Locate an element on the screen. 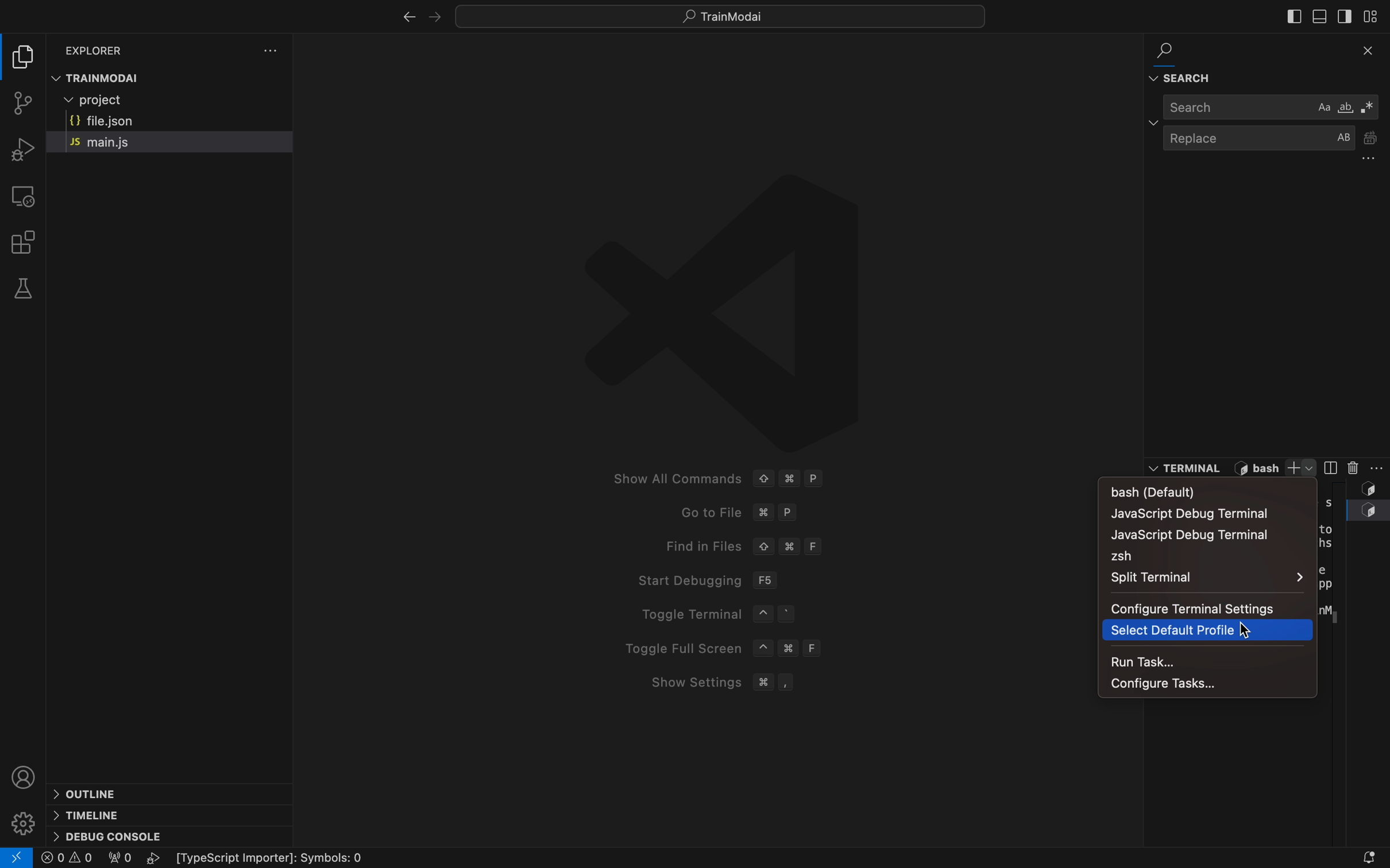 The height and width of the screenshot is (868, 1390). outline is located at coordinates (91, 793).